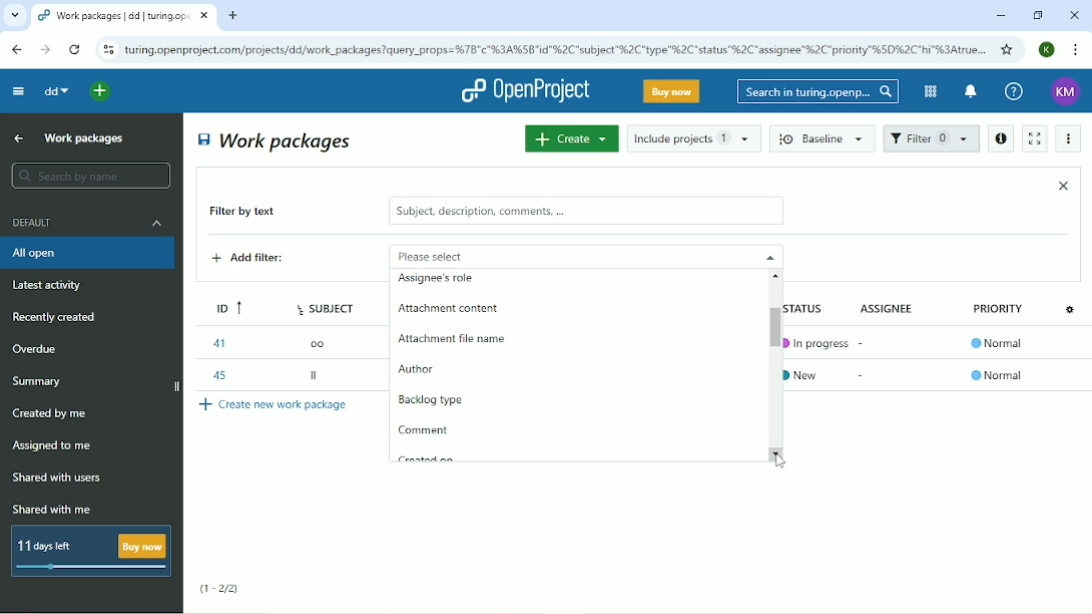 The width and height of the screenshot is (1092, 614). I want to click on In progress, so click(816, 343).